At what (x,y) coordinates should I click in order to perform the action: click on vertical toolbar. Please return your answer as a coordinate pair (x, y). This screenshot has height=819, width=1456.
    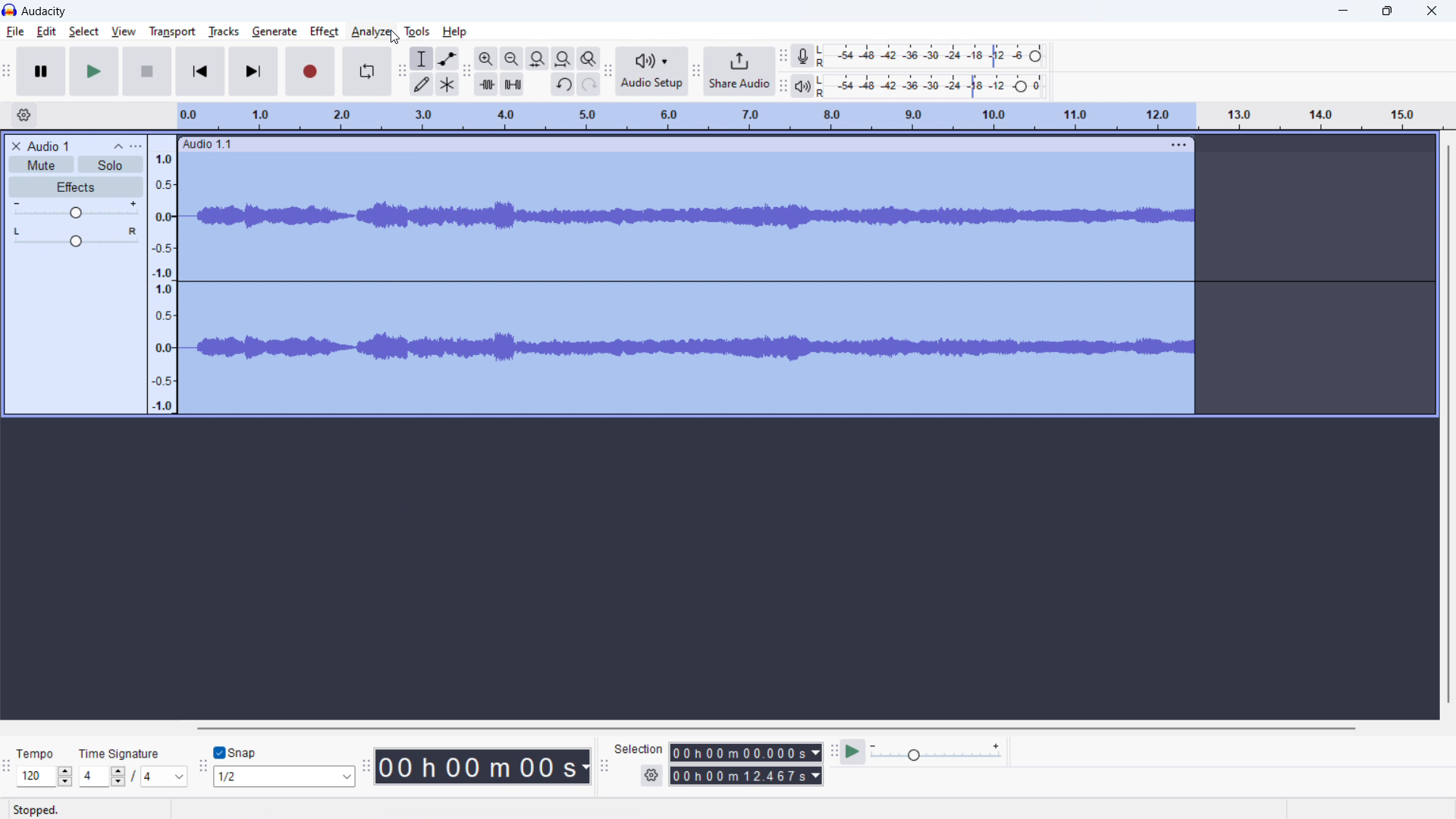
    Looking at the image, I should click on (1447, 425).